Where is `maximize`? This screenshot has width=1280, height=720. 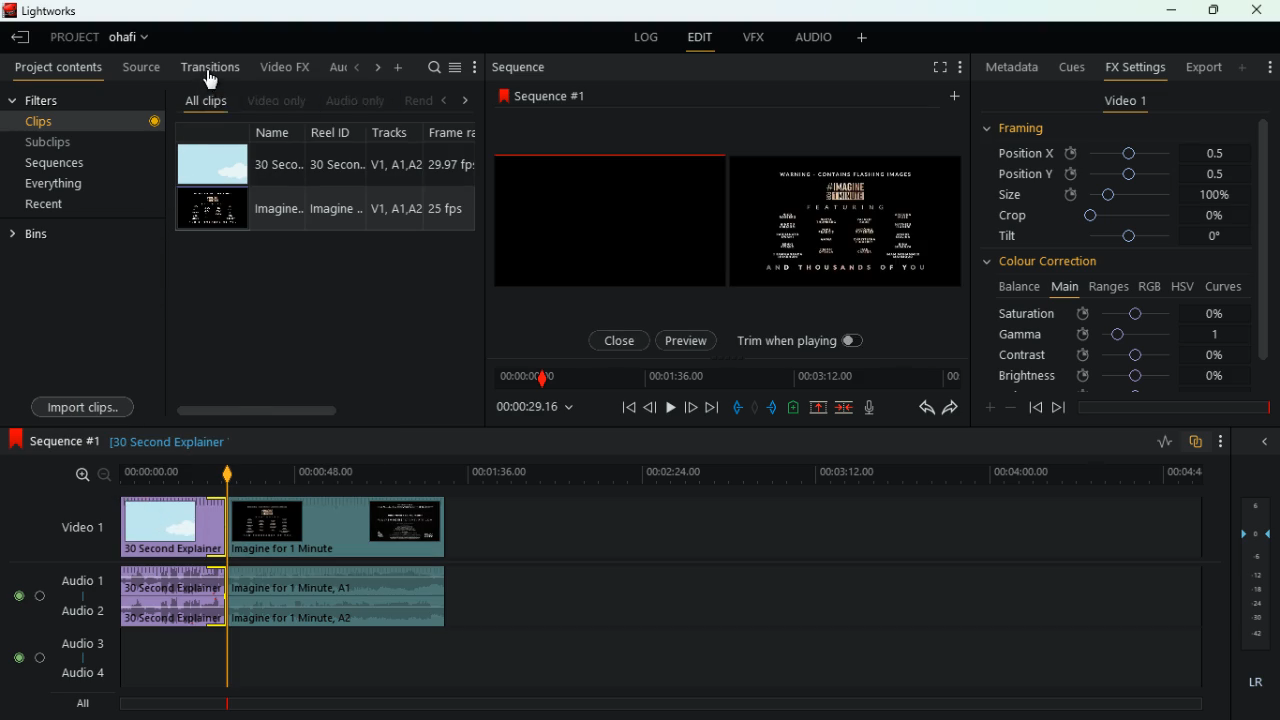 maximize is located at coordinates (1215, 10).